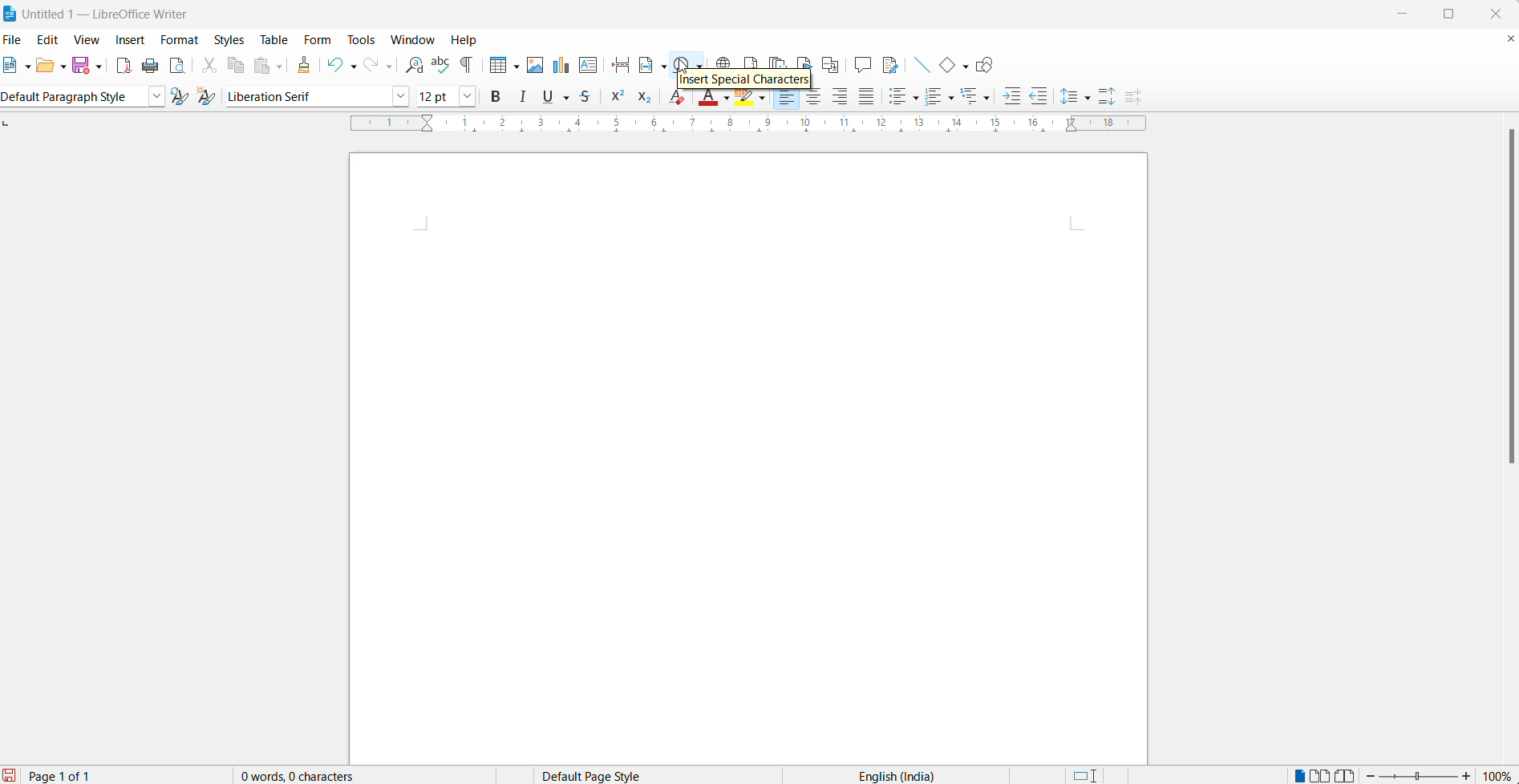 The width and height of the screenshot is (1519, 784). Describe the element at coordinates (12, 66) in the screenshot. I see `new ` at that location.